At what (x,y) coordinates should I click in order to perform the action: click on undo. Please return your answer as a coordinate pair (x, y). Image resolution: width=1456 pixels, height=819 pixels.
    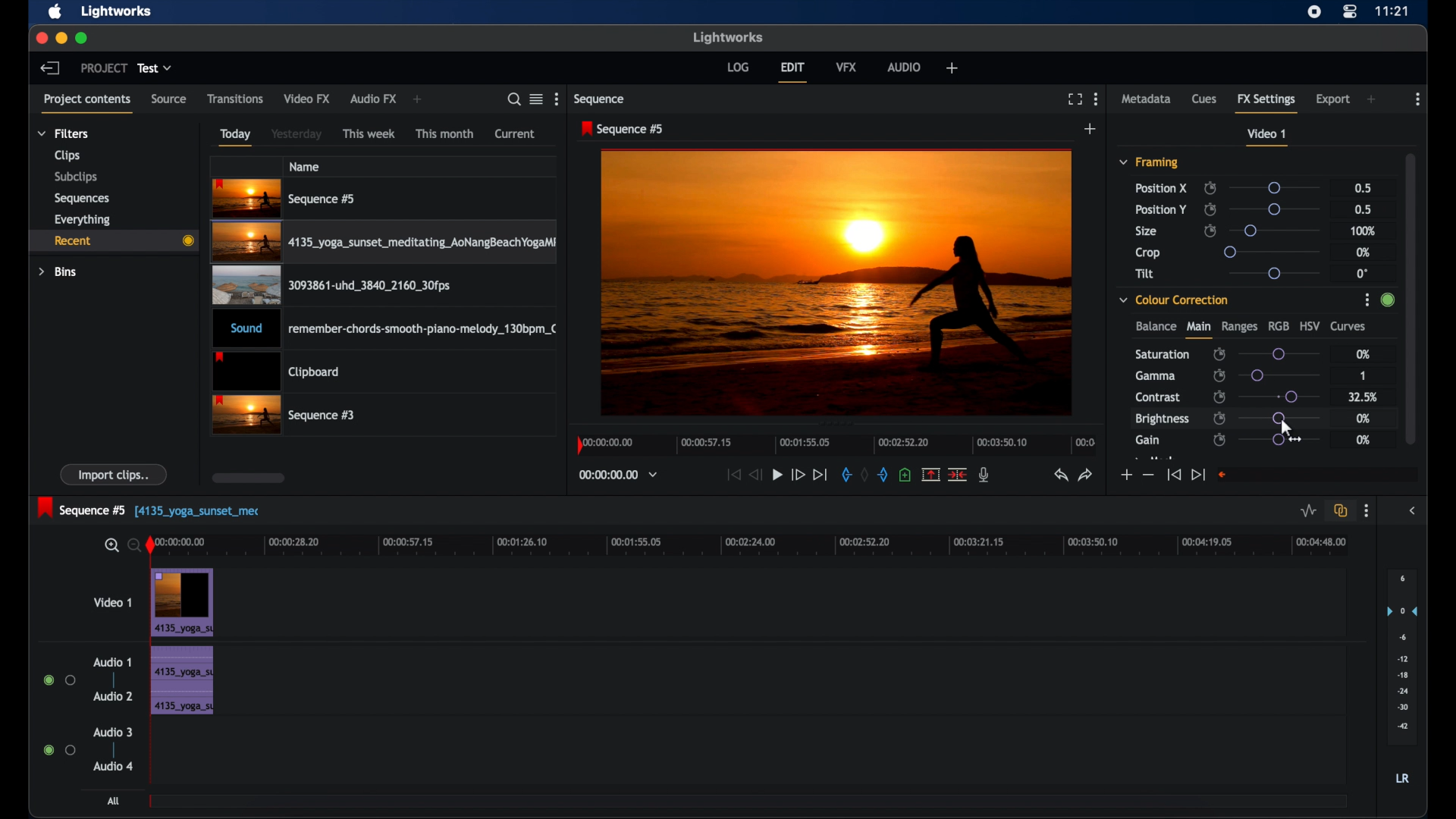
    Looking at the image, I should click on (1059, 475).